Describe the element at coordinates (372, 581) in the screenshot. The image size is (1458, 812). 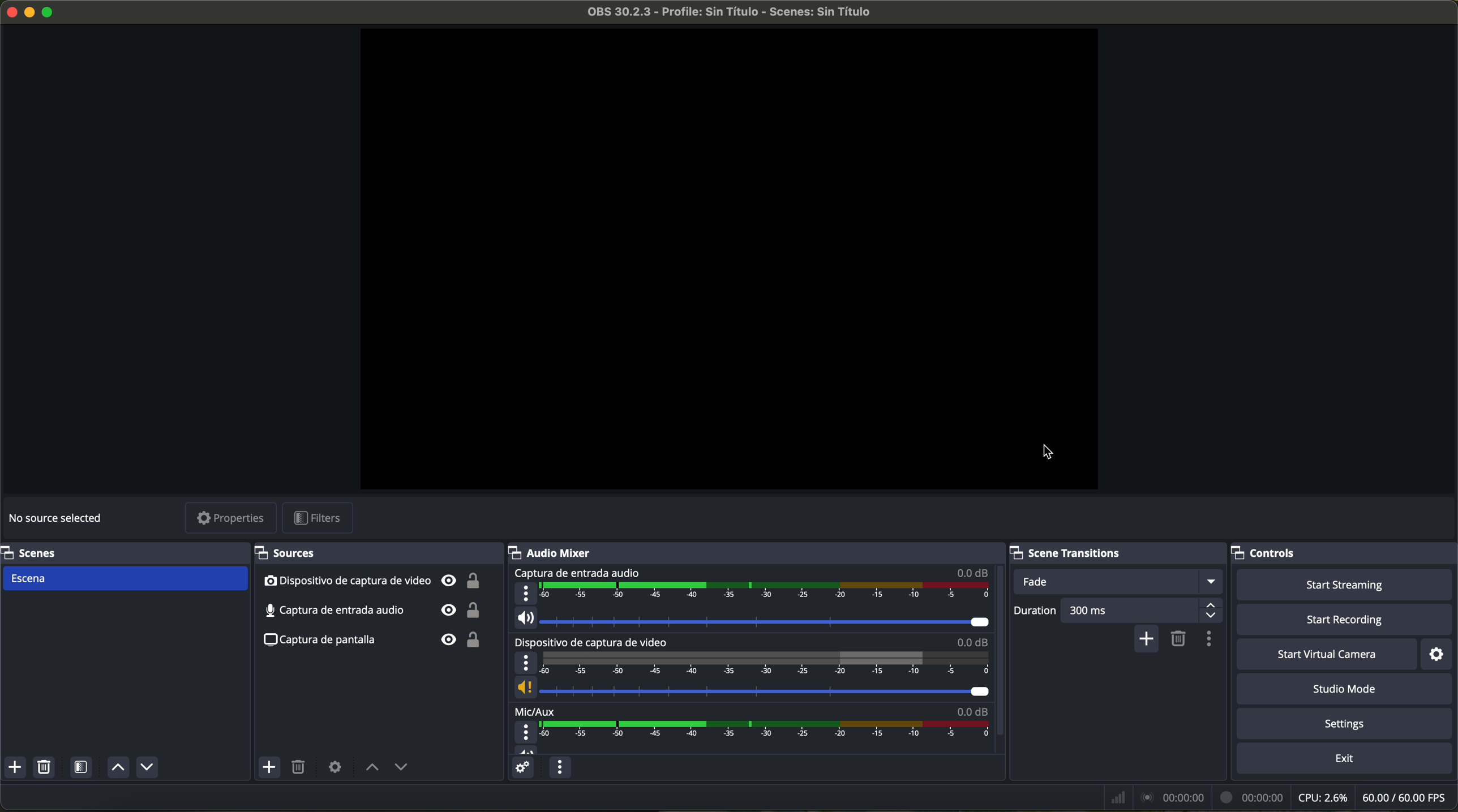
I see `video capture device` at that location.